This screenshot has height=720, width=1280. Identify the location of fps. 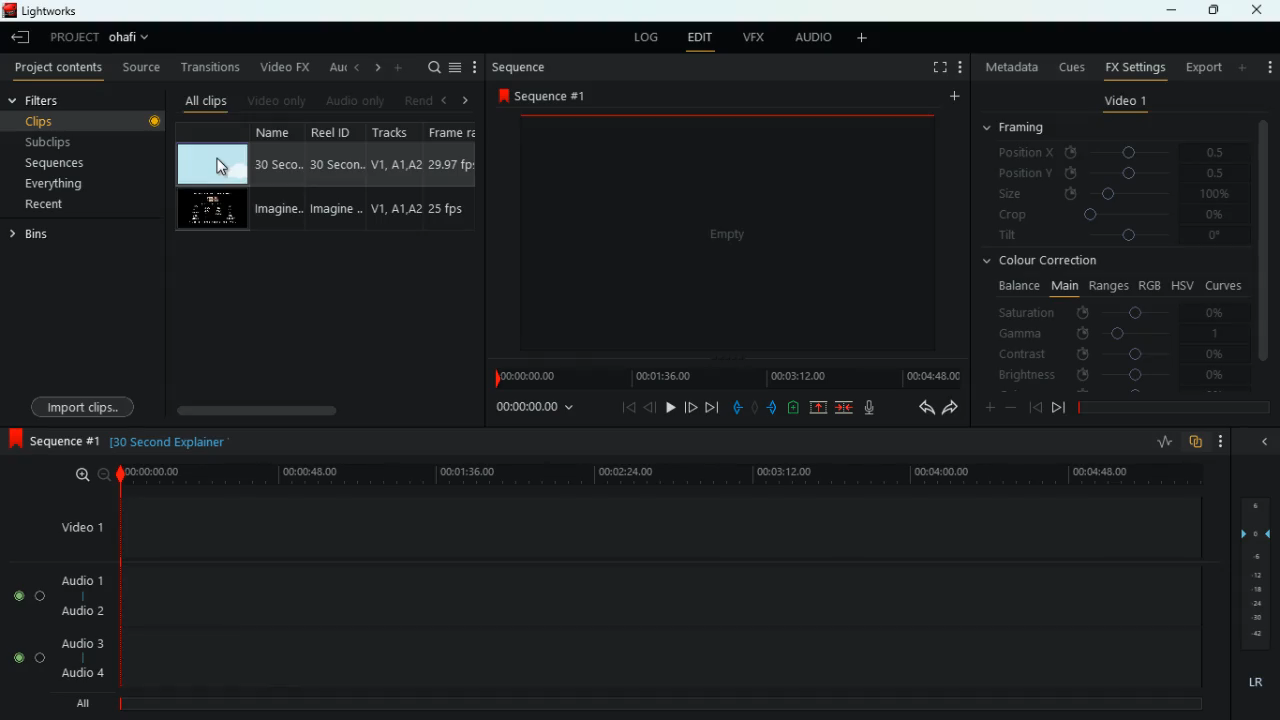
(449, 178).